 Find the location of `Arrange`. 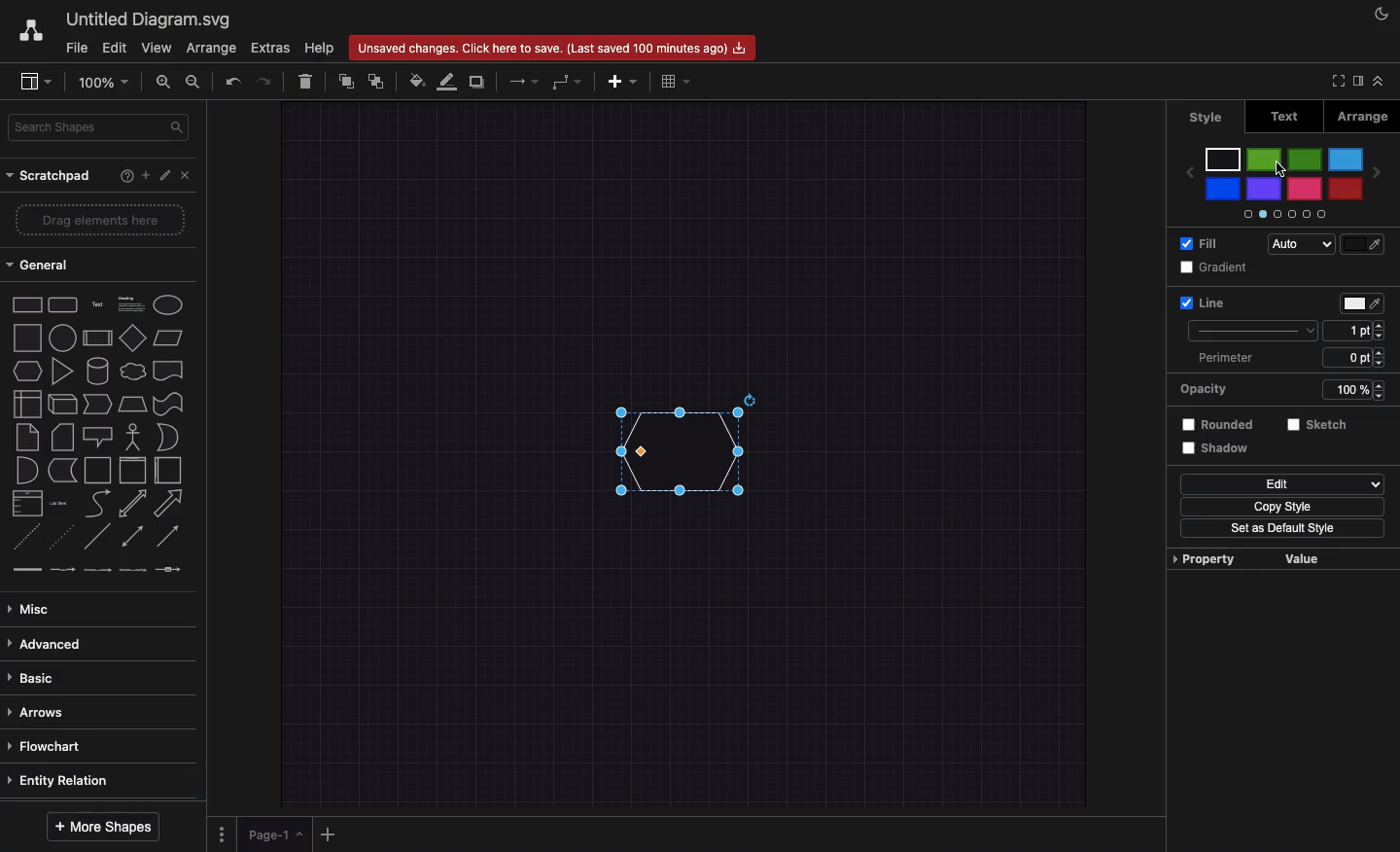

Arrange is located at coordinates (1361, 116).